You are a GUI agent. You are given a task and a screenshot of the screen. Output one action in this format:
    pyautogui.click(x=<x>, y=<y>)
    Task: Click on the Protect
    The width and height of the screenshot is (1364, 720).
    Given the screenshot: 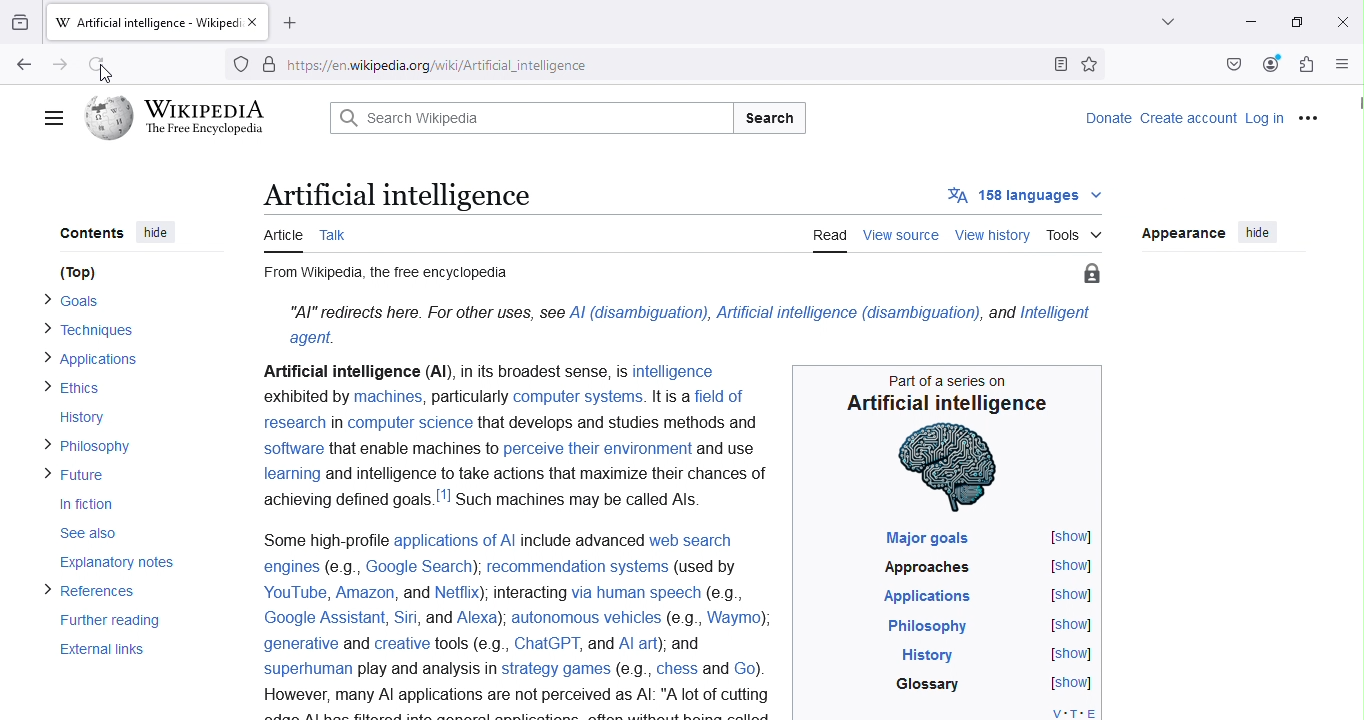 What is the action you would take?
    pyautogui.click(x=1098, y=273)
    